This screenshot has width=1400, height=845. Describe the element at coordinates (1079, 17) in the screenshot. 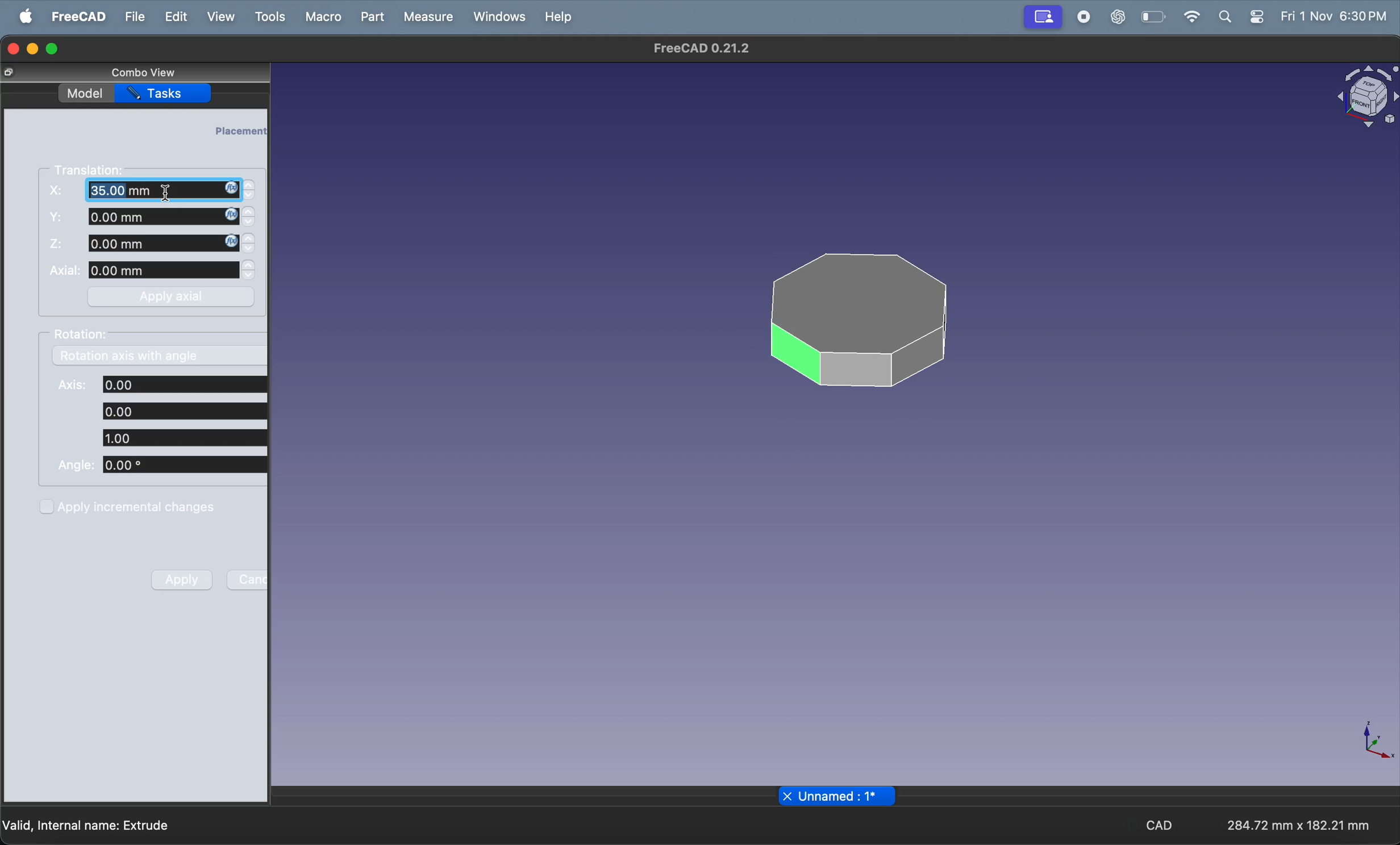

I see `record` at that location.